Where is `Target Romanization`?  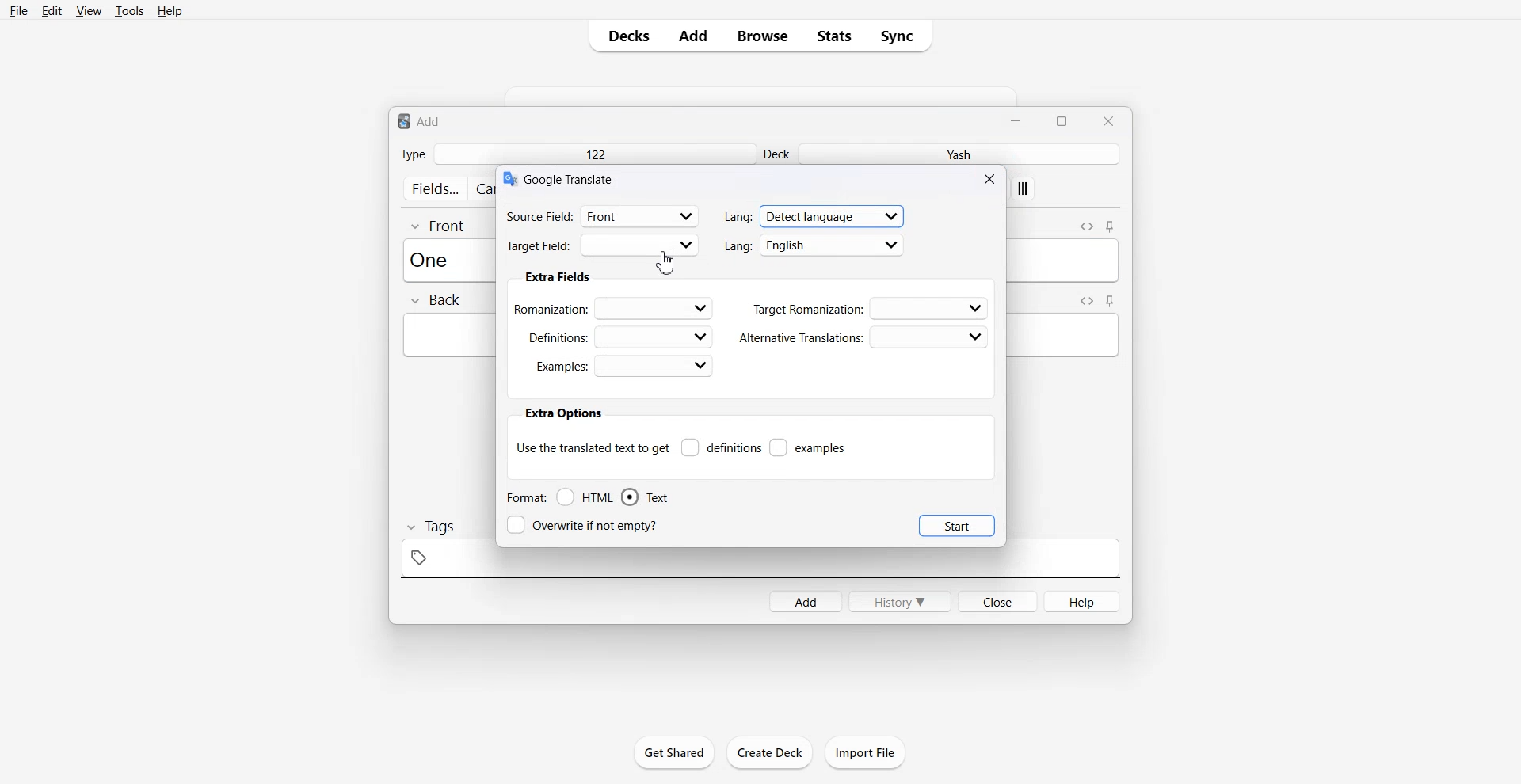 Target Romanization is located at coordinates (871, 308).